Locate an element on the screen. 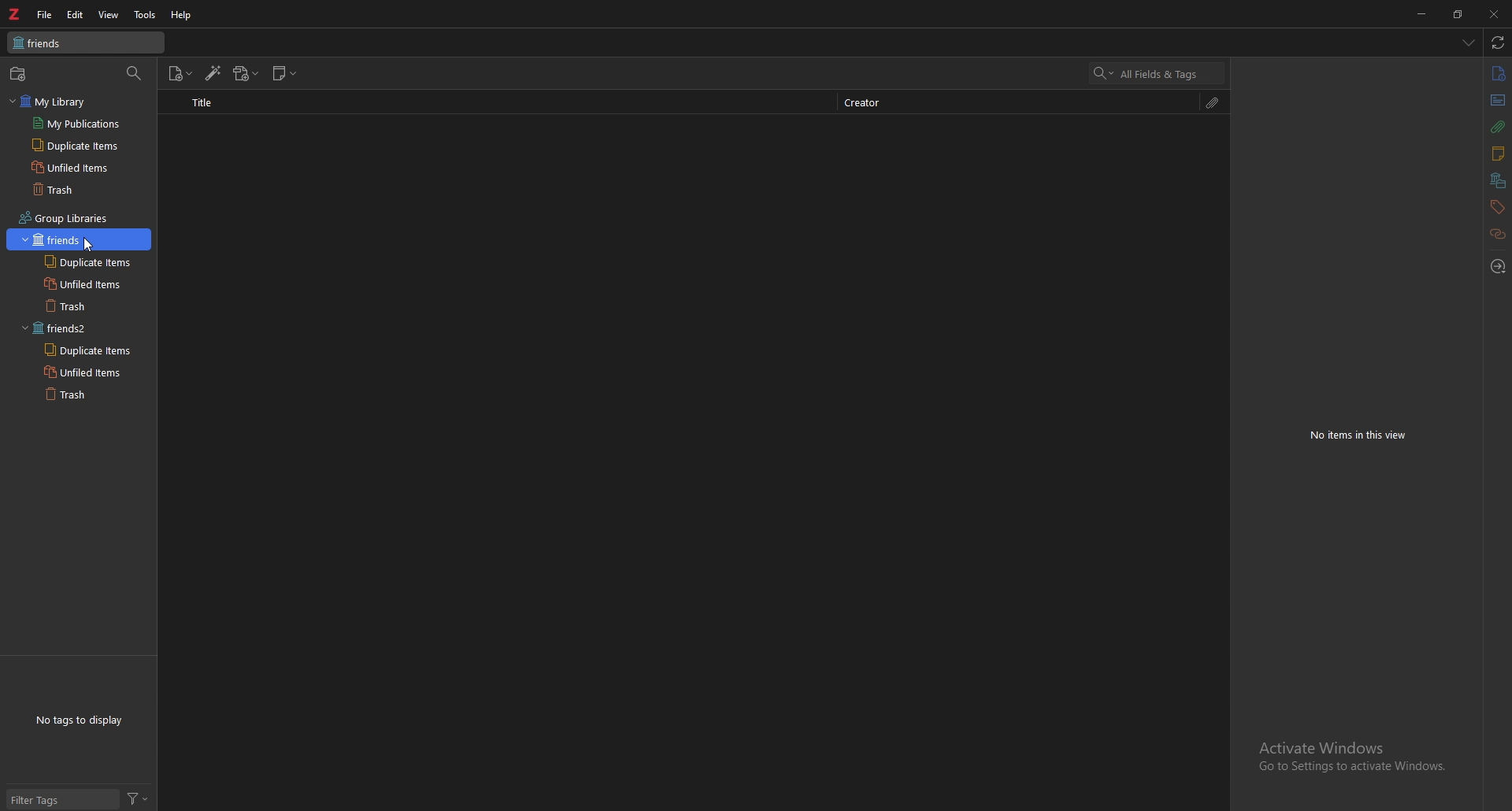  title is located at coordinates (205, 103).